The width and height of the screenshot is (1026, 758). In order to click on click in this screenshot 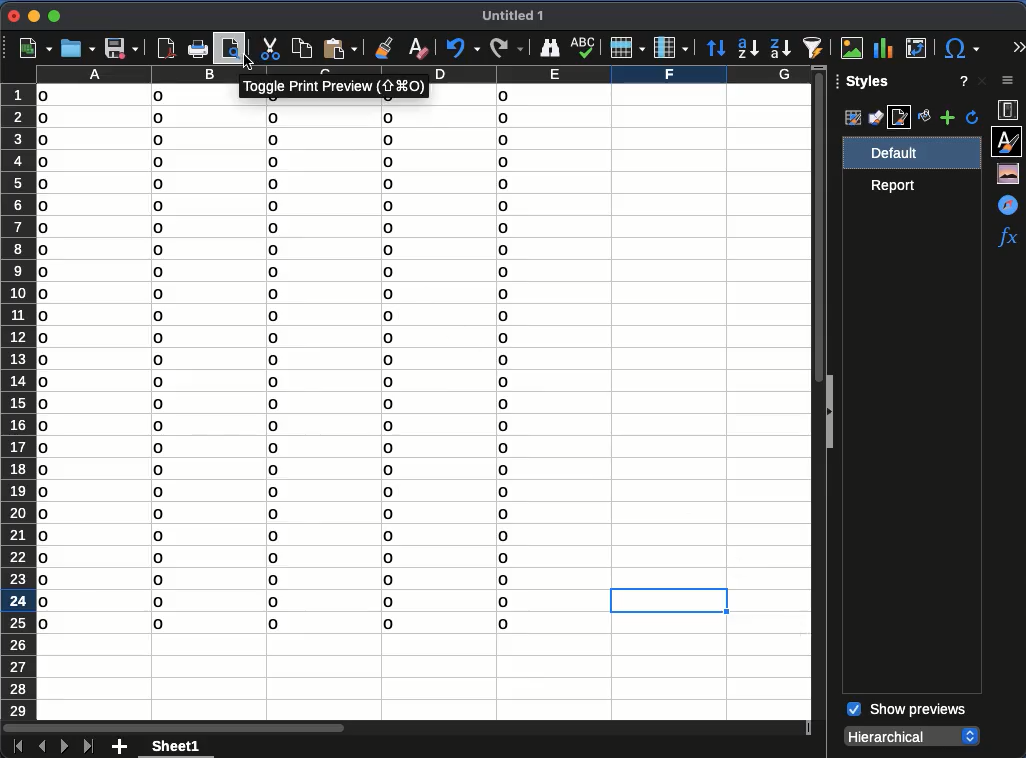, I will do `click(249, 63)`.